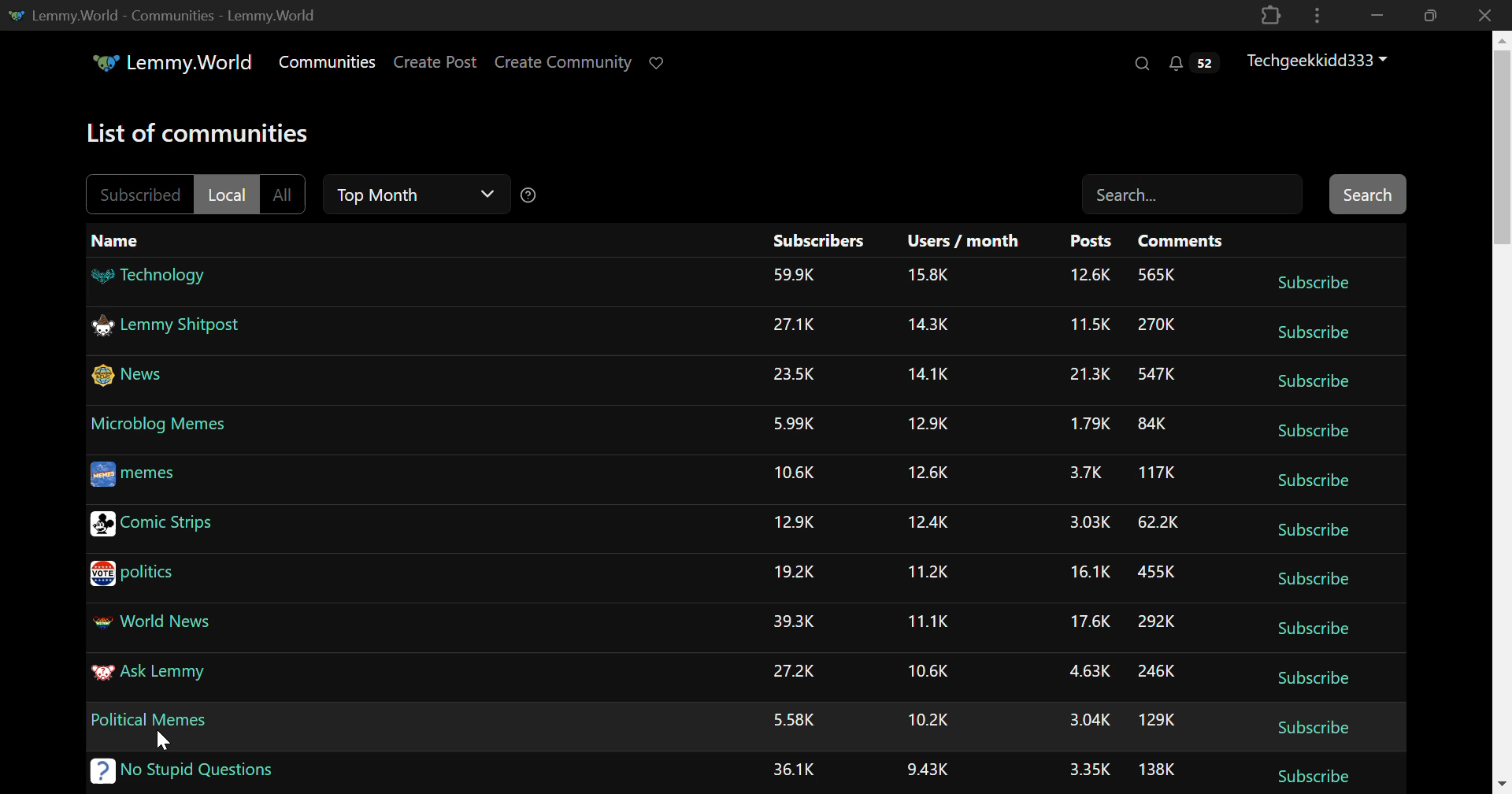 Image resolution: width=1512 pixels, height=794 pixels. What do you see at coordinates (133, 574) in the screenshot?
I see `politics` at bounding box center [133, 574].